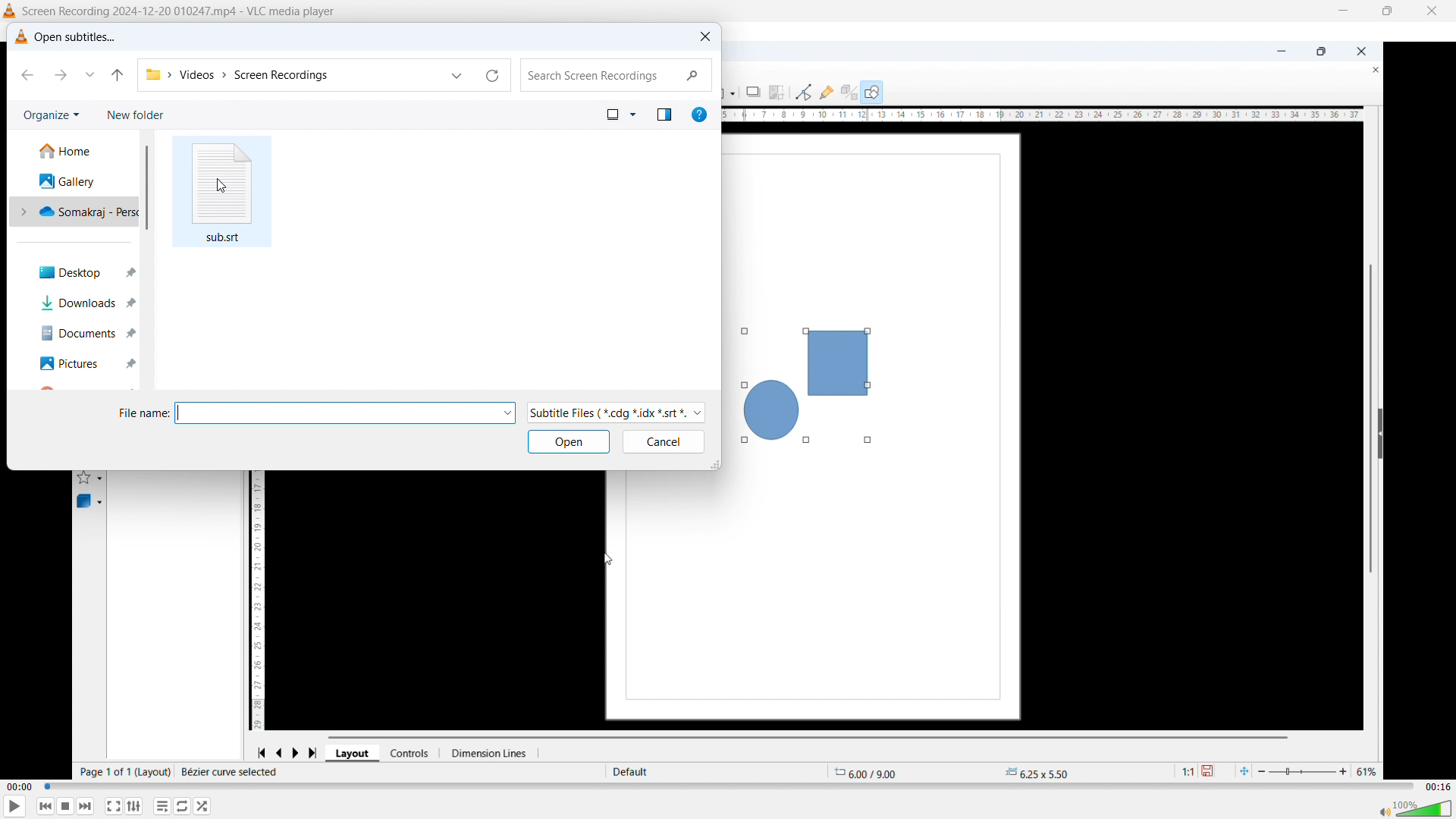  I want to click on shapes, so click(810, 380).